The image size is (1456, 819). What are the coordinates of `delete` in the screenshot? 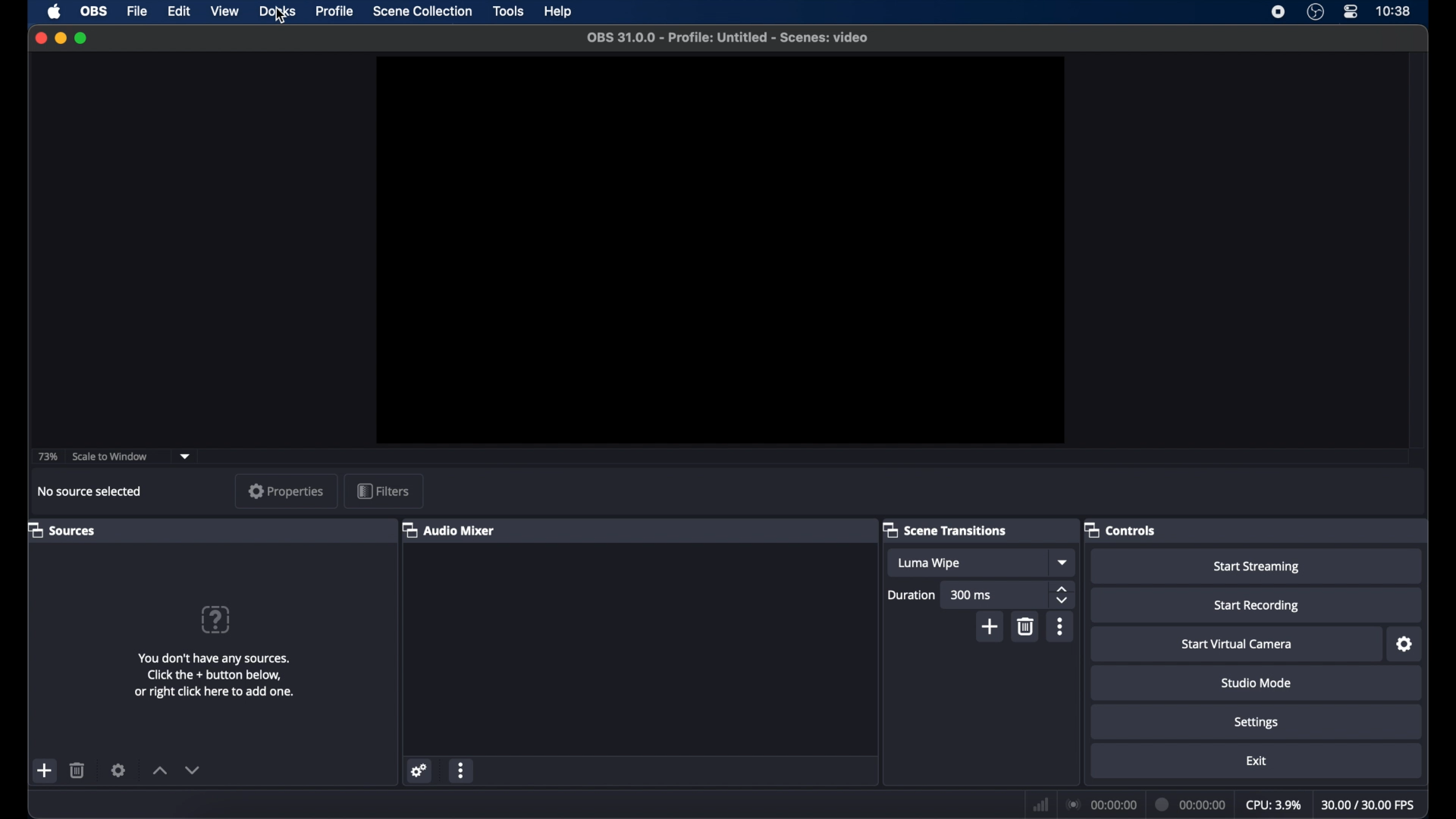 It's located at (1028, 627).